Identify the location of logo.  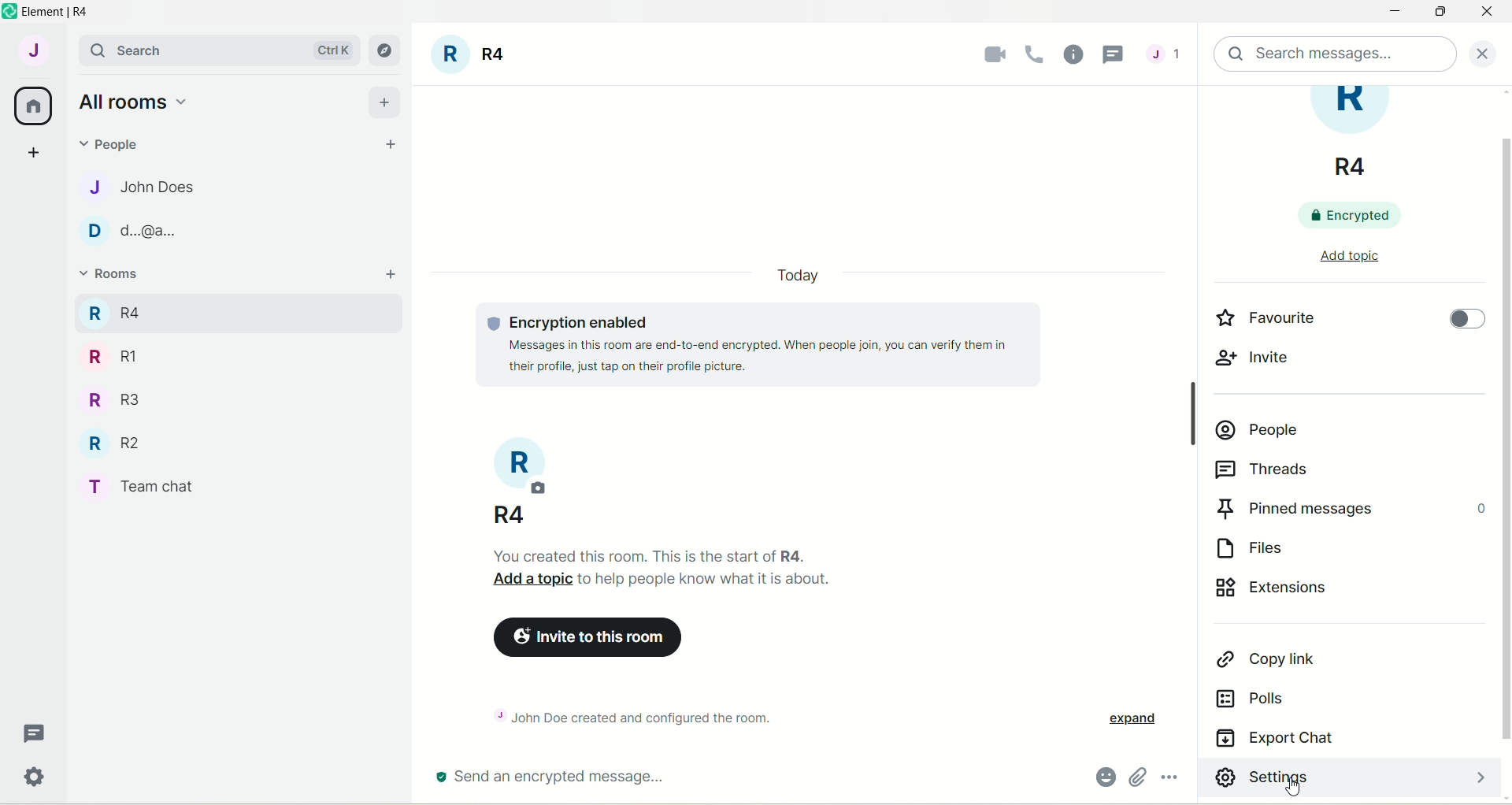
(9, 12).